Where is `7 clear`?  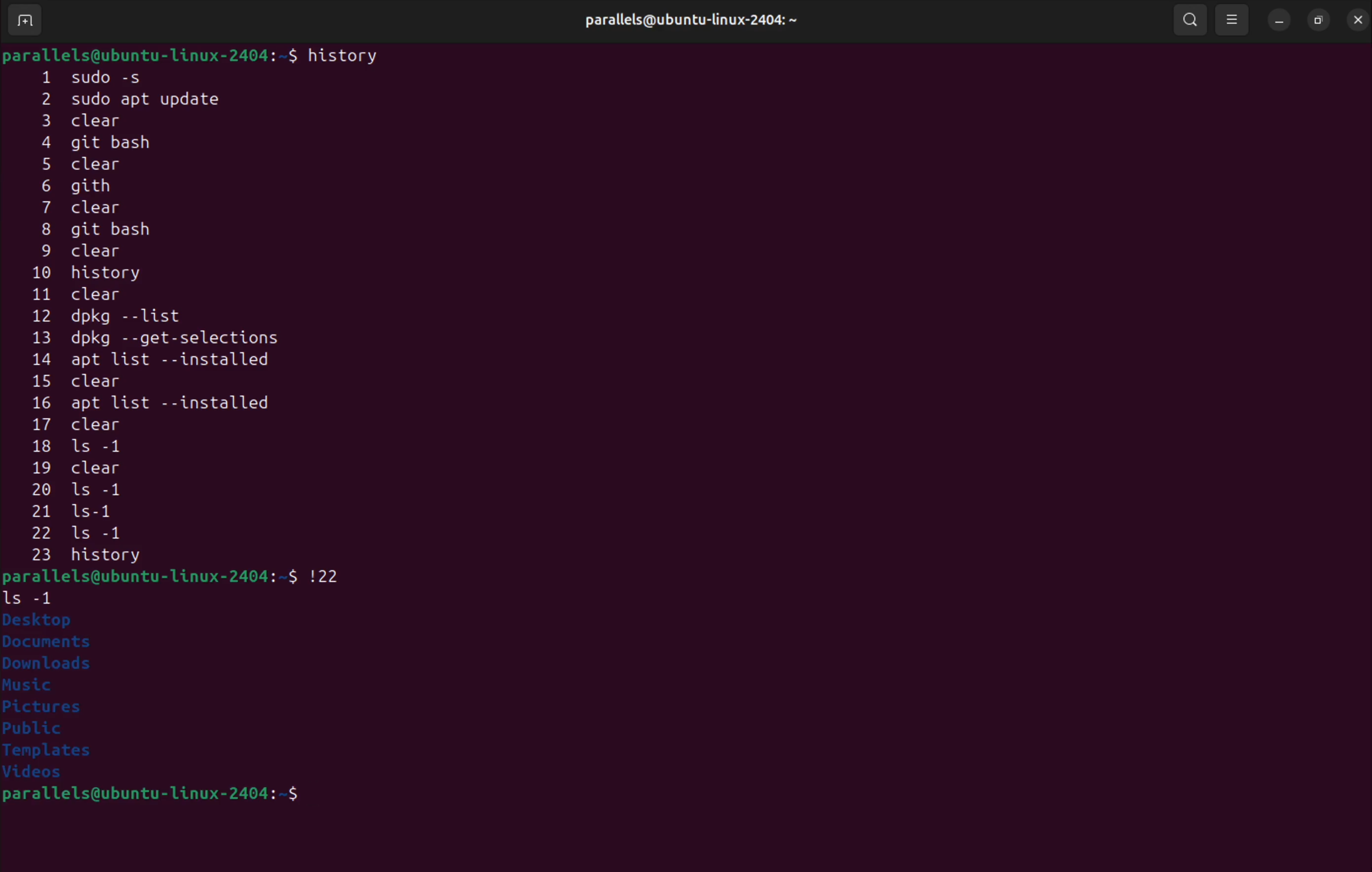
7 clear is located at coordinates (93, 208).